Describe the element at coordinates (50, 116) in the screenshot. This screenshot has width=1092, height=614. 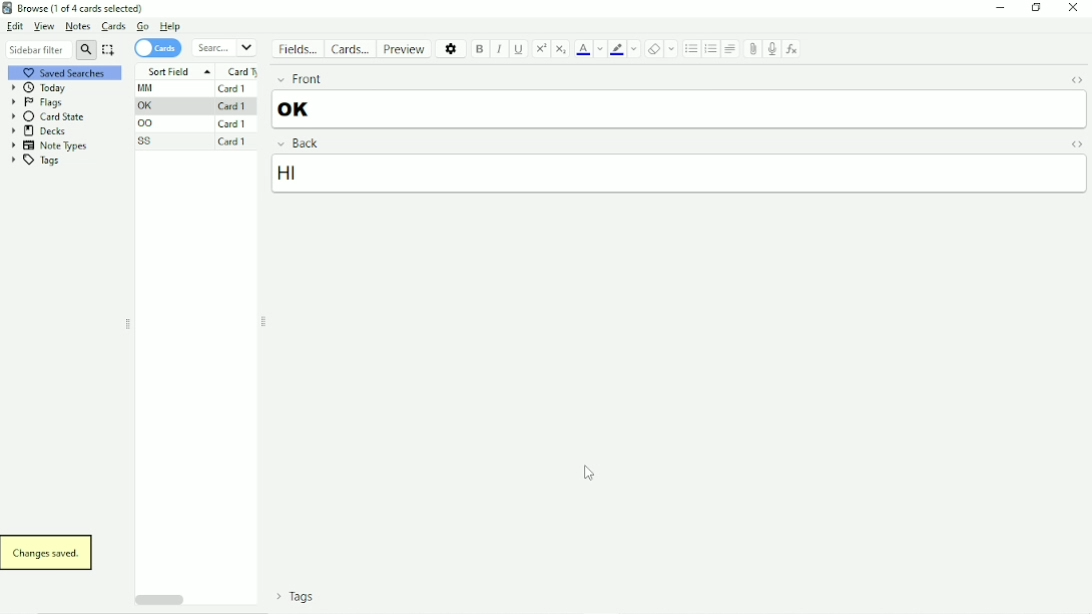
I see `Card state` at that location.